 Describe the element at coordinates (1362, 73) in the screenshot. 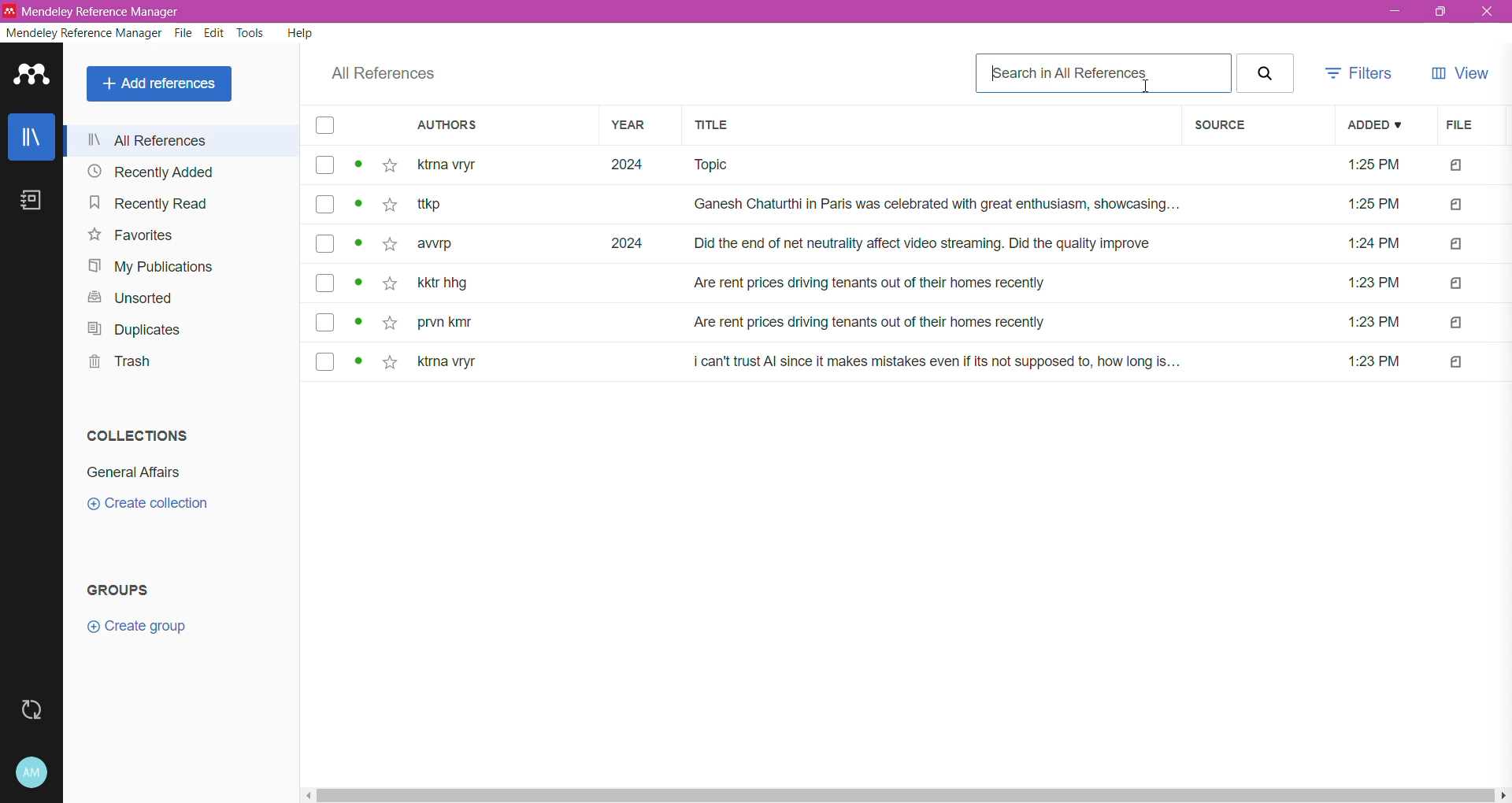

I see `Filters` at that location.